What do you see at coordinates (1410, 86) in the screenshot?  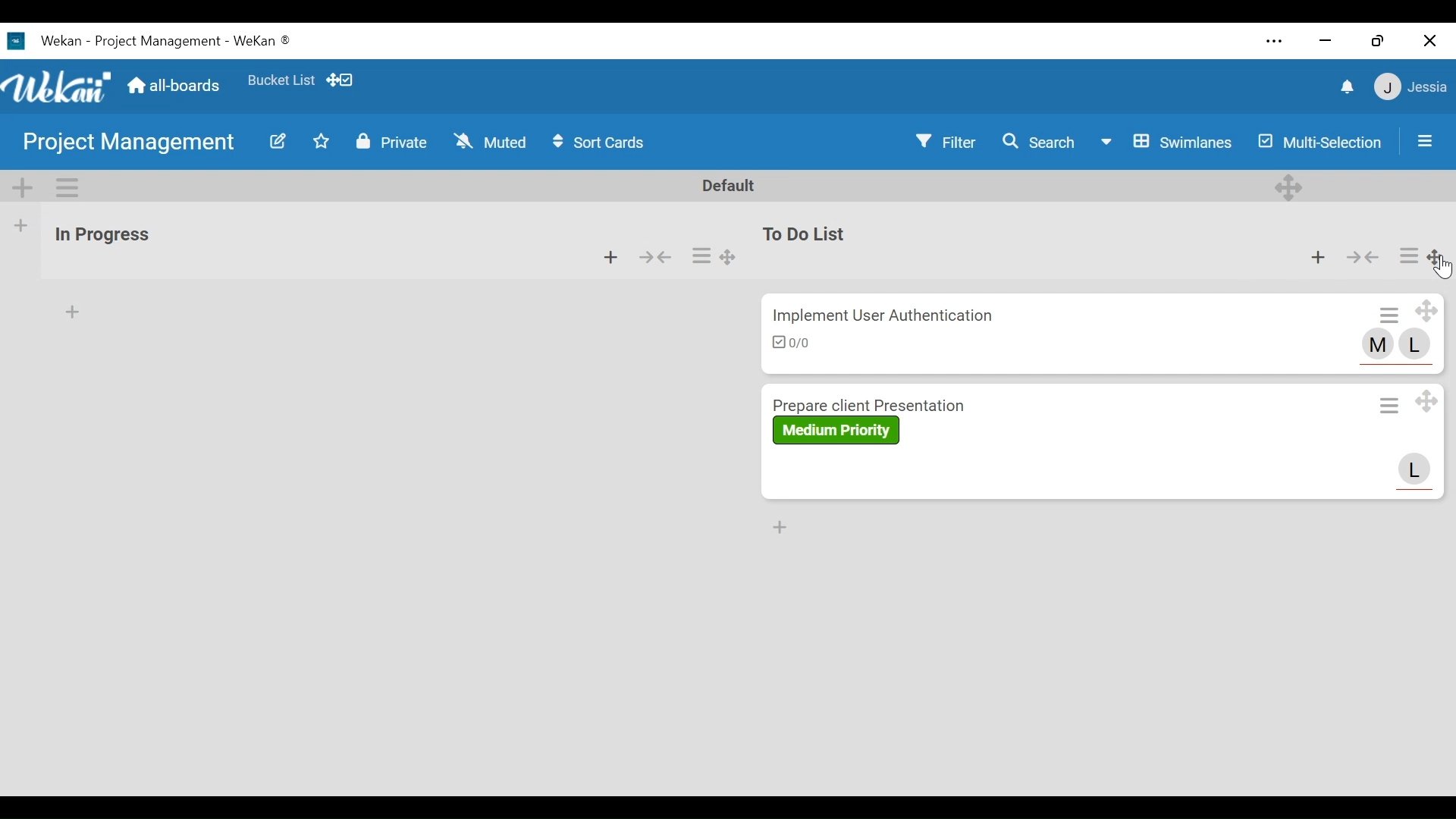 I see `member settings` at bounding box center [1410, 86].